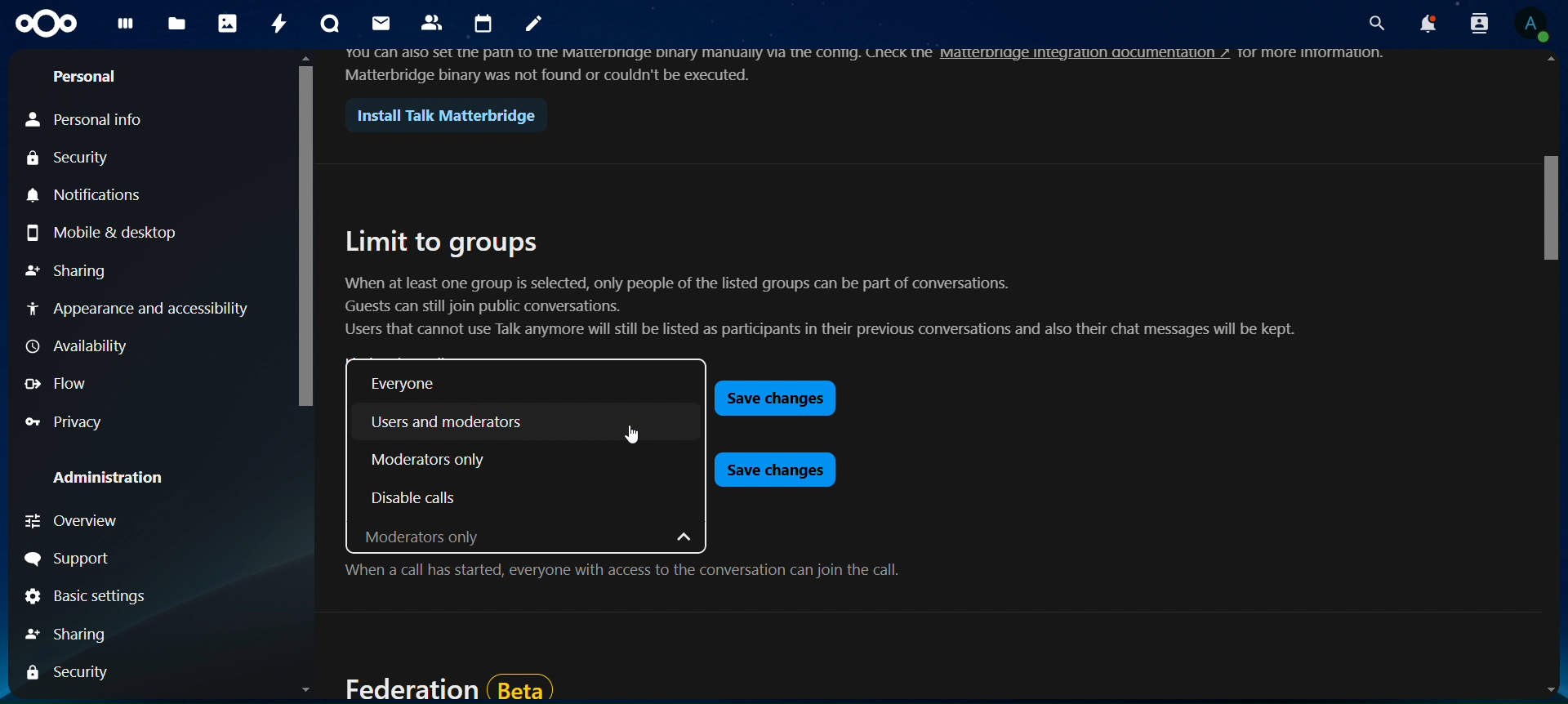 The width and height of the screenshot is (1568, 704). What do you see at coordinates (1551, 380) in the screenshot?
I see `scroll bar` at bounding box center [1551, 380].